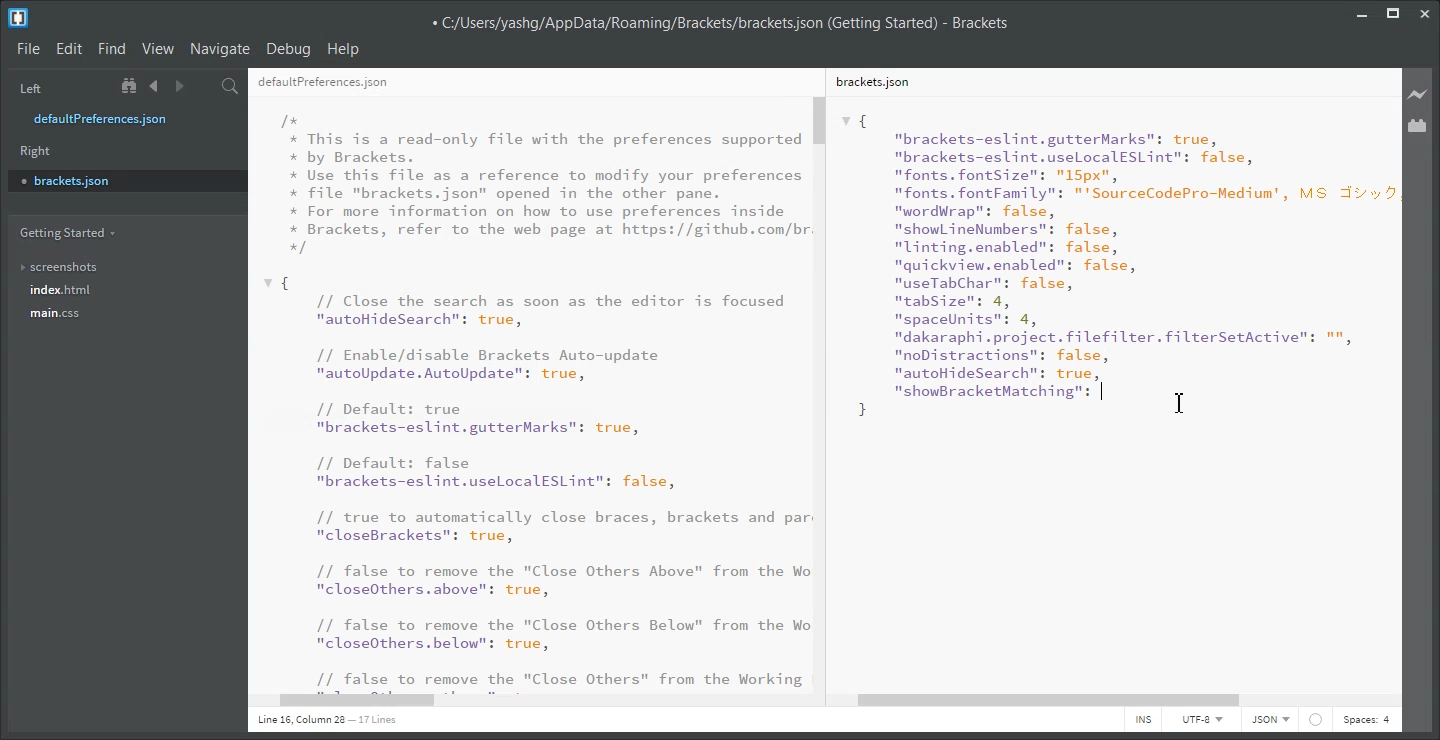 The image size is (1440, 740). What do you see at coordinates (113, 119) in the screenshot?
I see `defaultPreferences.json` at bounding box center [113, 119].